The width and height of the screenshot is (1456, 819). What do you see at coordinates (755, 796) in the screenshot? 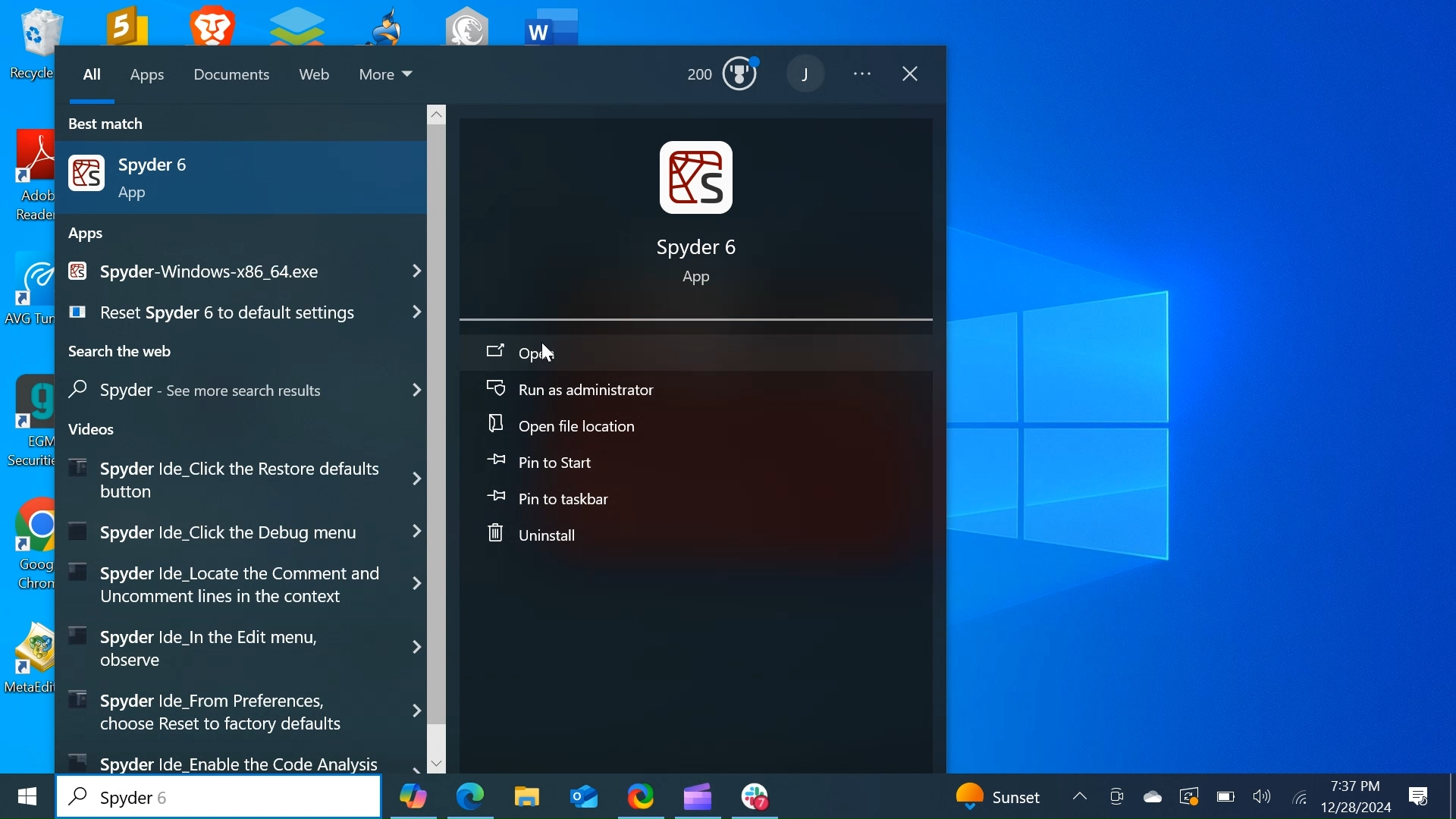
I see `Slack` at bounding box center [755, 796].